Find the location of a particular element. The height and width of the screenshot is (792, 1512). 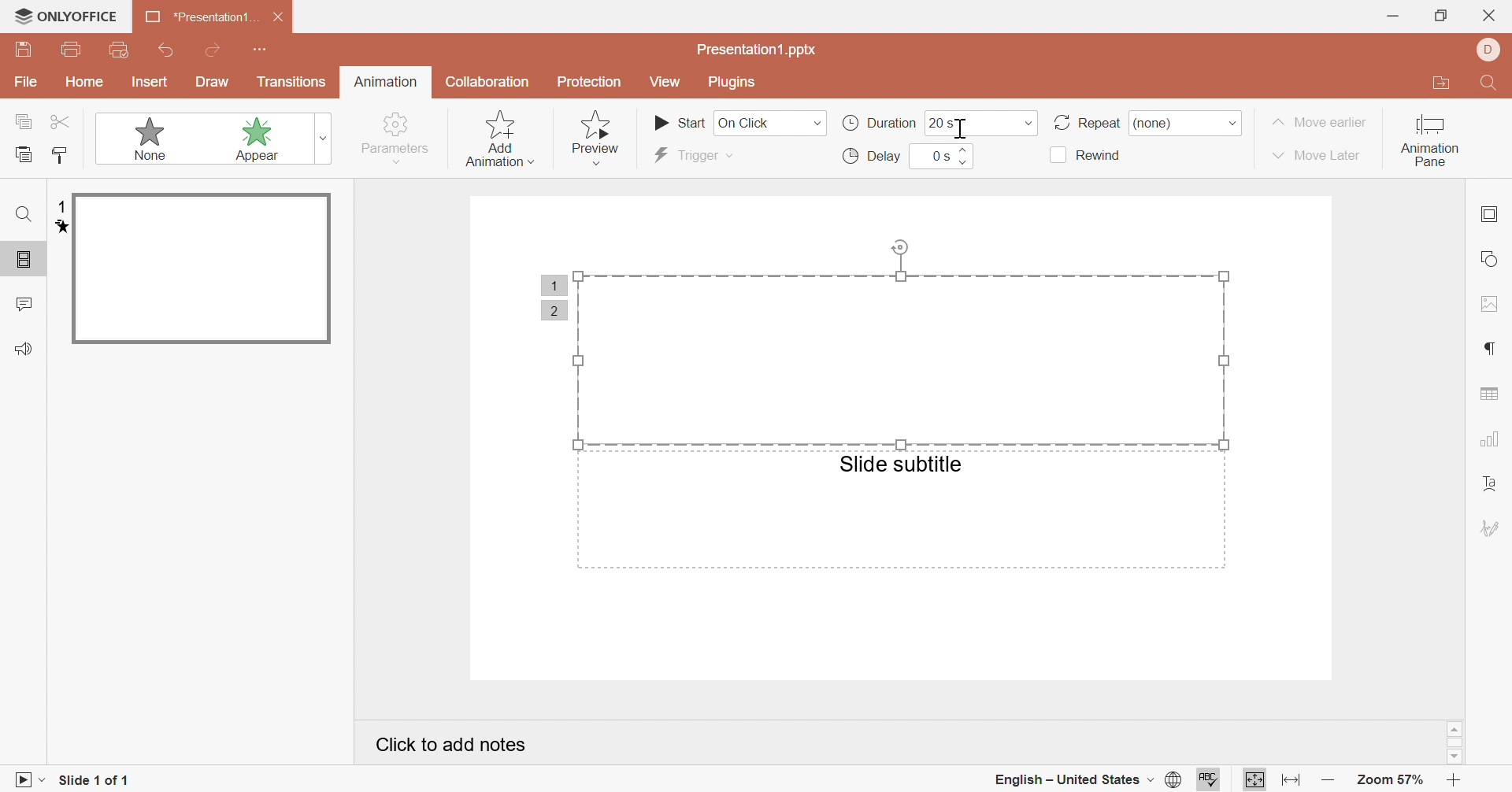

collaboration is located at coordinates (489, 83).